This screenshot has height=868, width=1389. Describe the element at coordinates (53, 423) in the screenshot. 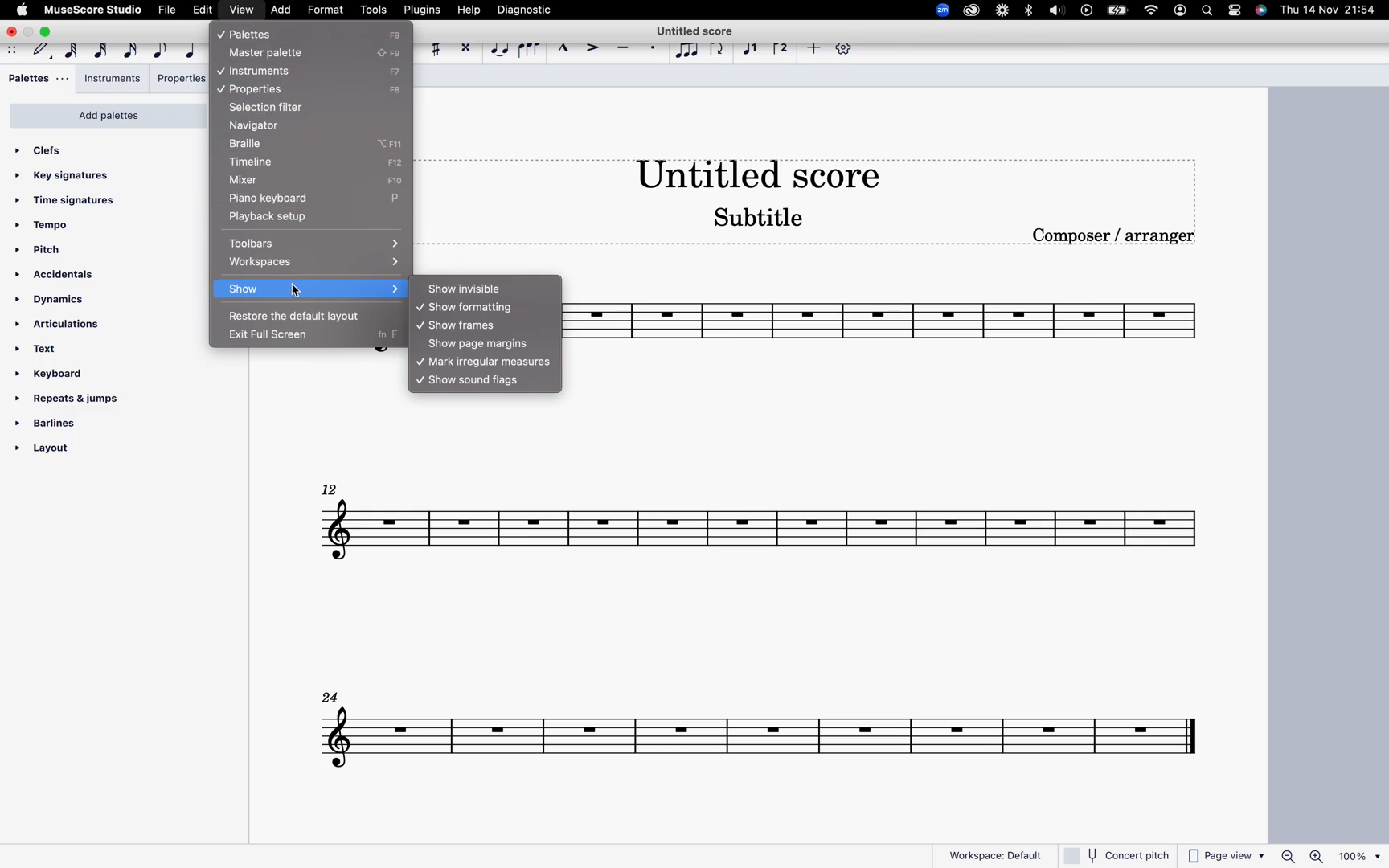

I see `barlines` at that location.